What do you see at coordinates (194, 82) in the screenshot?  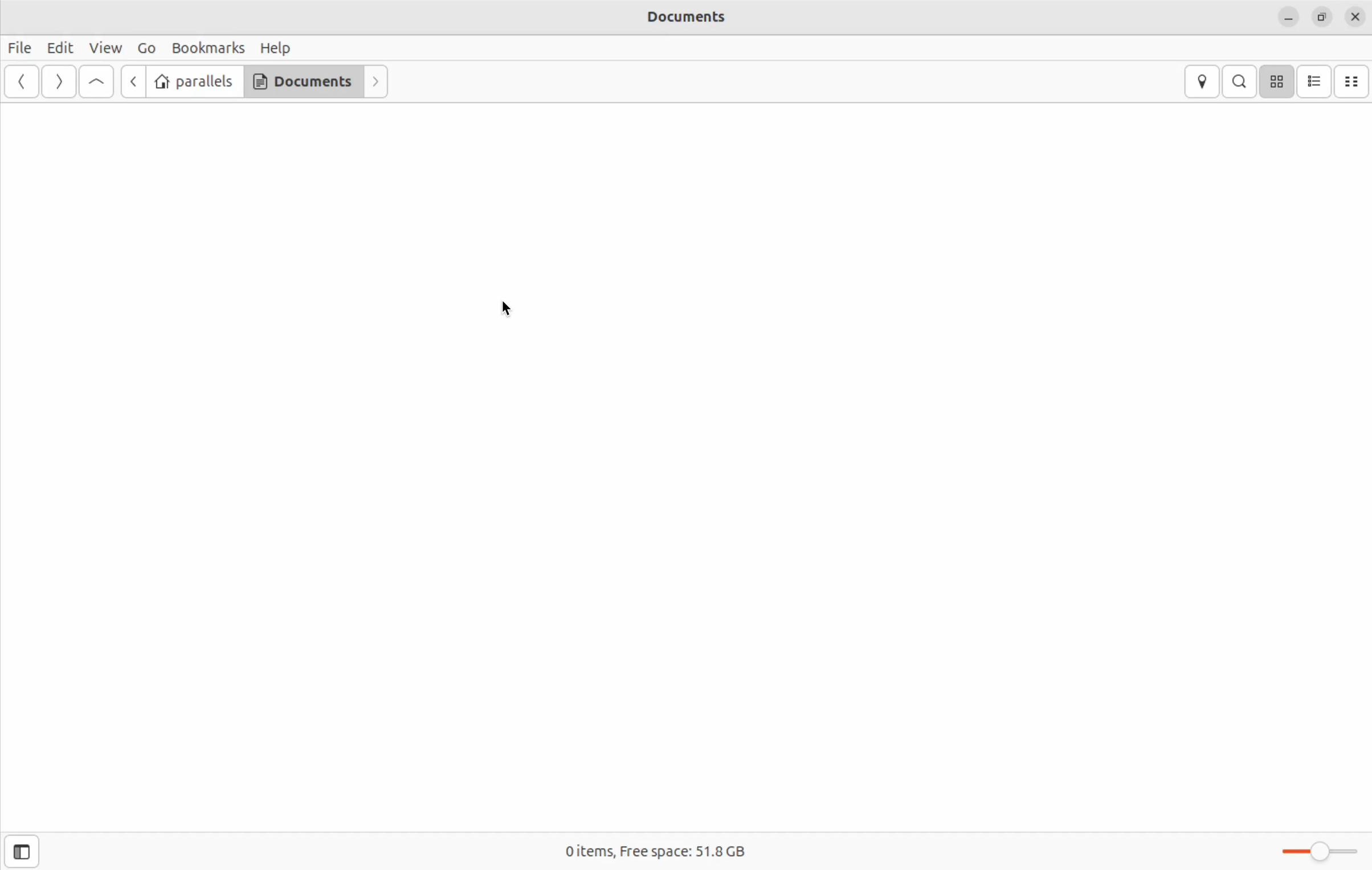 I see `parallels` at bounding box center [194, 82].